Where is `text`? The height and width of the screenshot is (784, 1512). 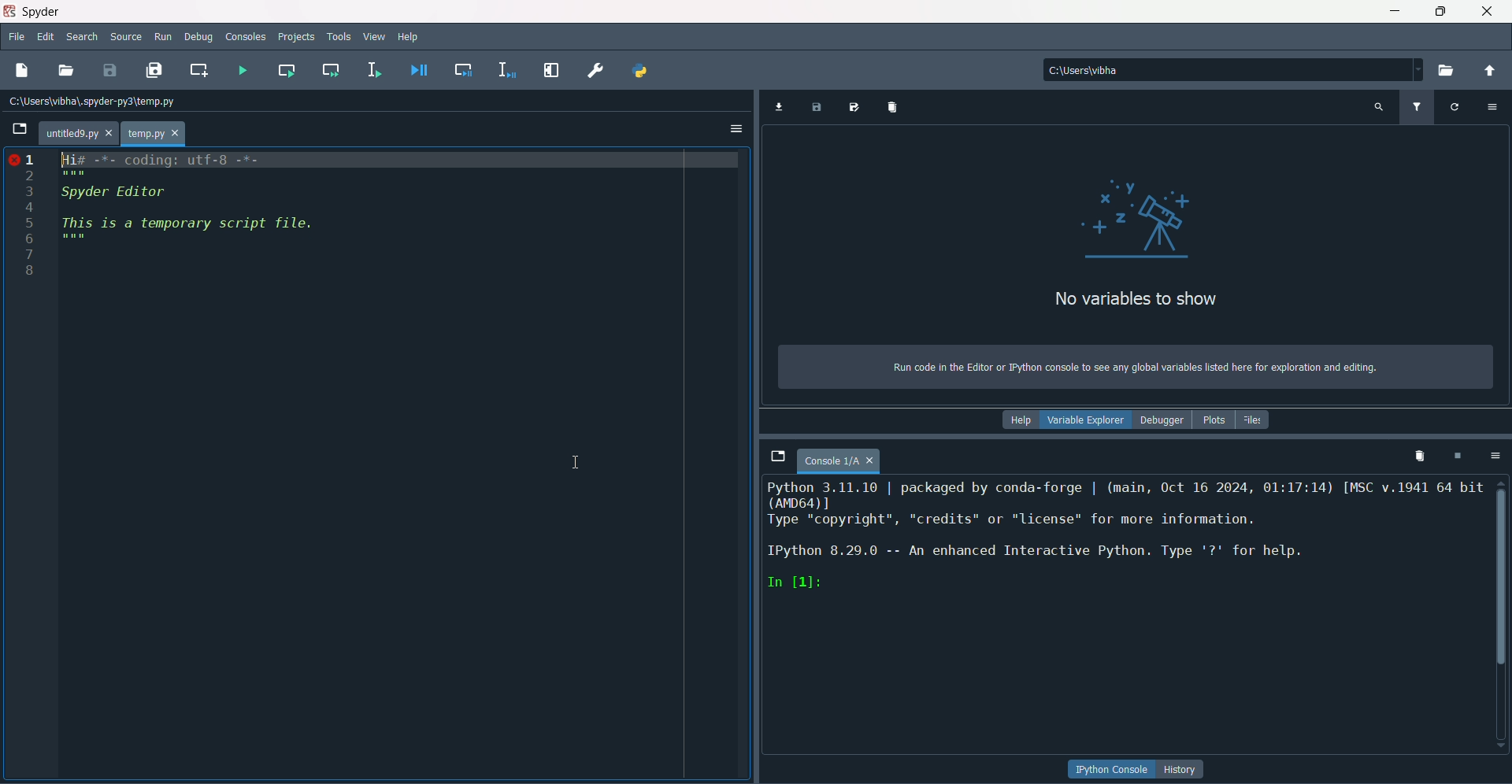
text is located at coordinates (1125, 537).